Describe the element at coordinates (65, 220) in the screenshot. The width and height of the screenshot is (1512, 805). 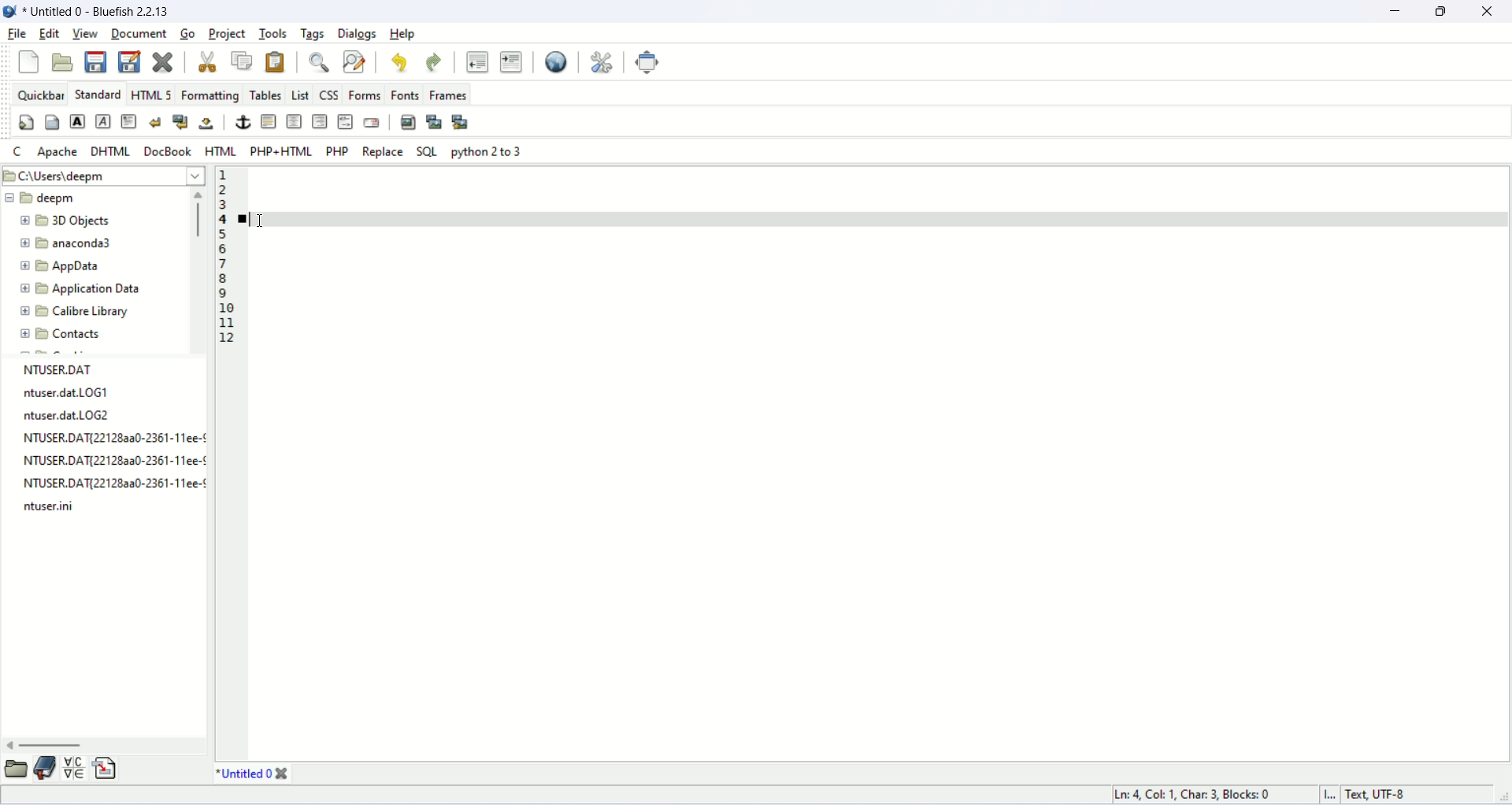
I see `3D object` at that location.